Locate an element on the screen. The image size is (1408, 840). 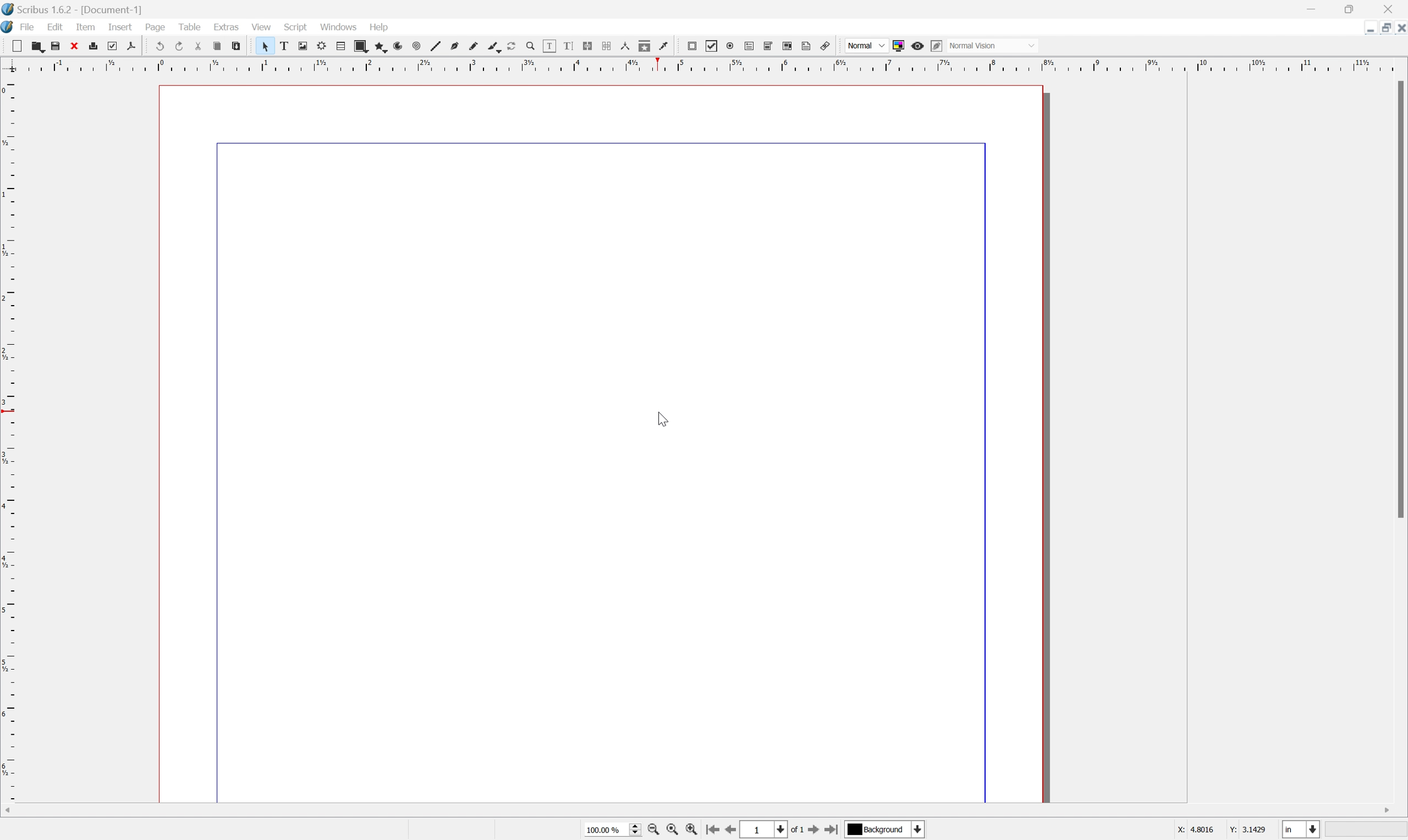
go to next page is located at coordinates (811, 832).